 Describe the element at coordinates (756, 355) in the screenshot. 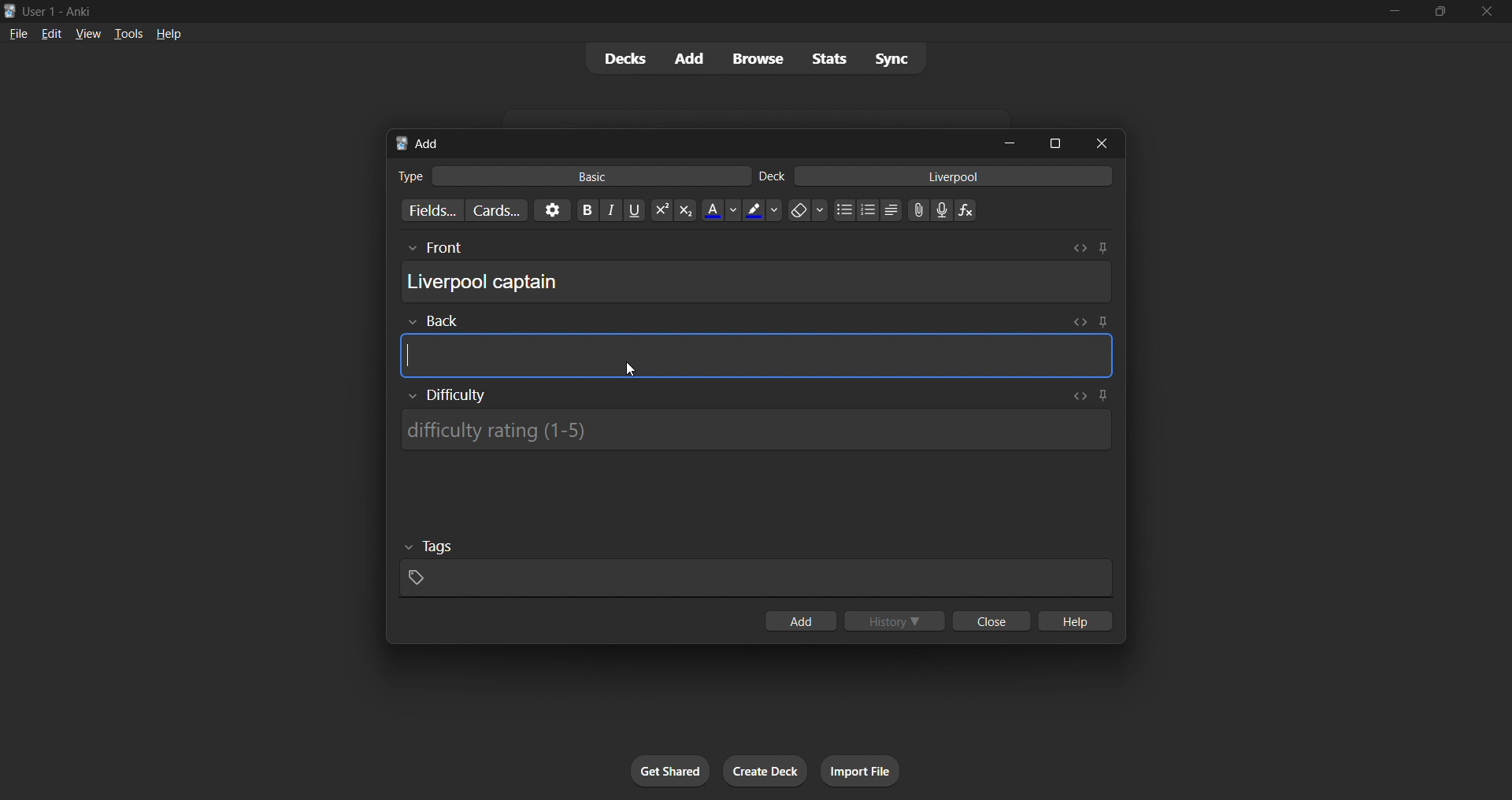

I see `card back field input box` at that location.